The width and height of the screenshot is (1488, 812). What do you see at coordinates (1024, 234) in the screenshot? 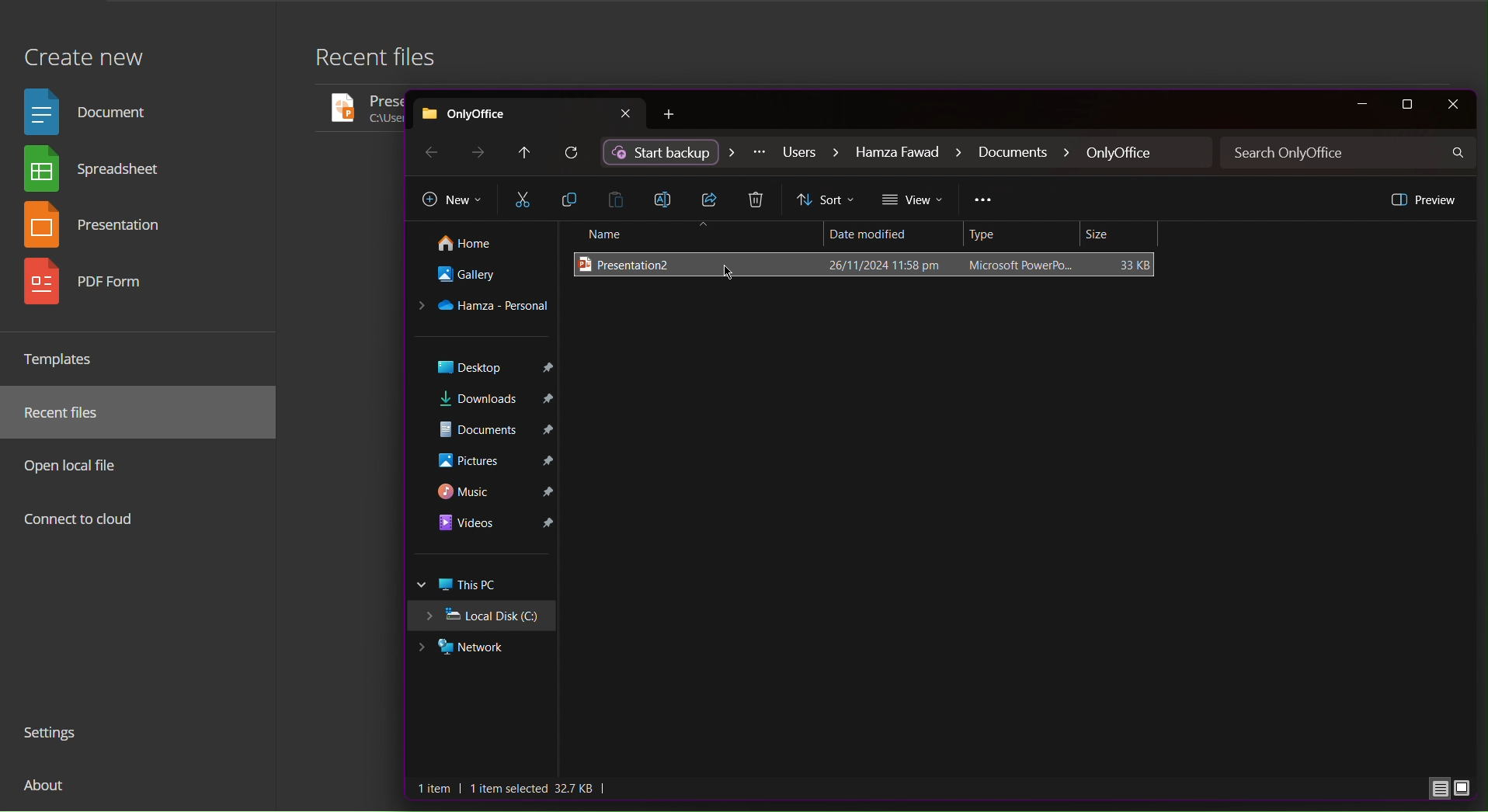
I see `Type` at bounding box center [1024, 234].